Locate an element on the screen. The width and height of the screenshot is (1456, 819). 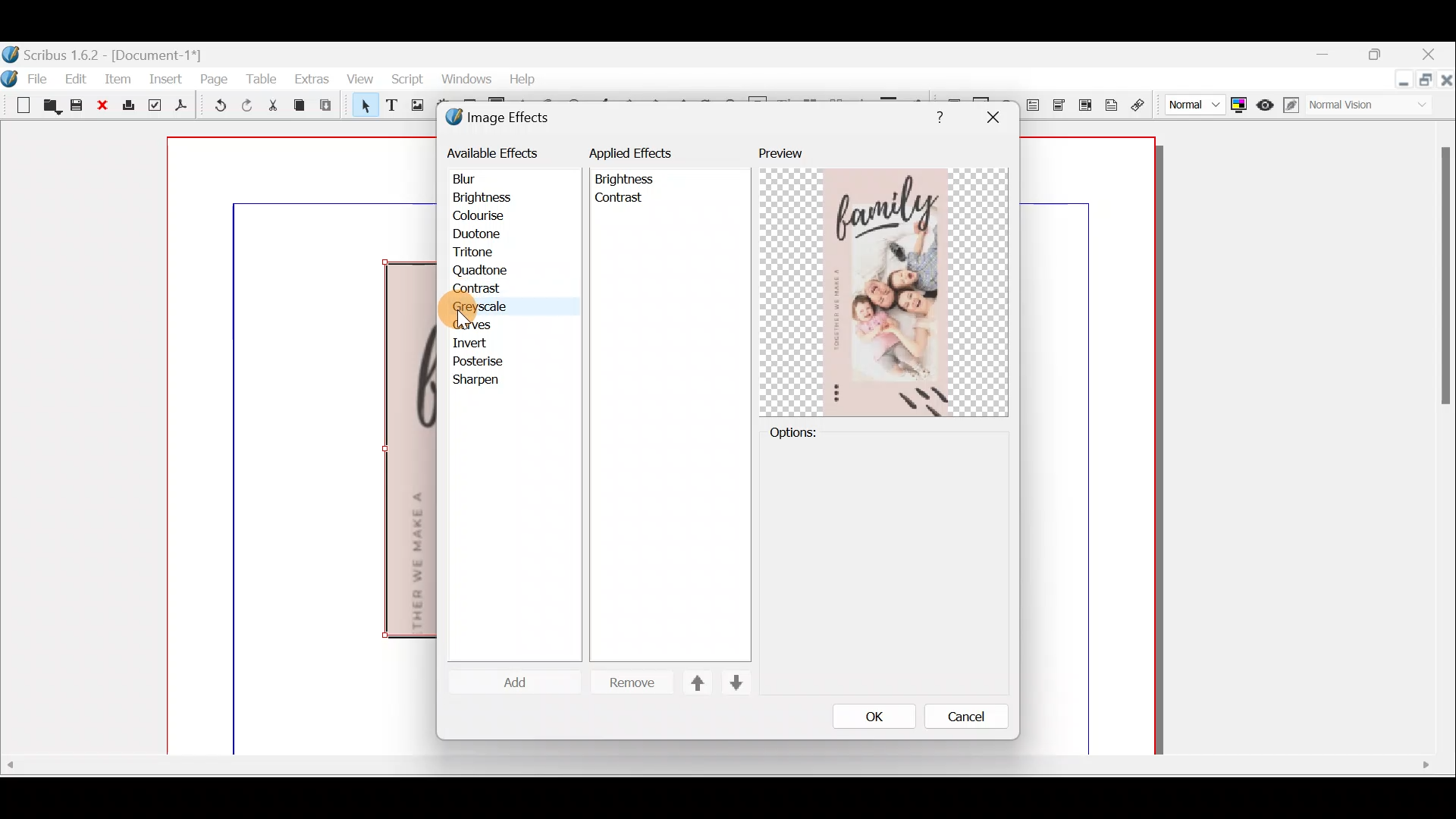
maximise is located at coordinates (1379, 56).